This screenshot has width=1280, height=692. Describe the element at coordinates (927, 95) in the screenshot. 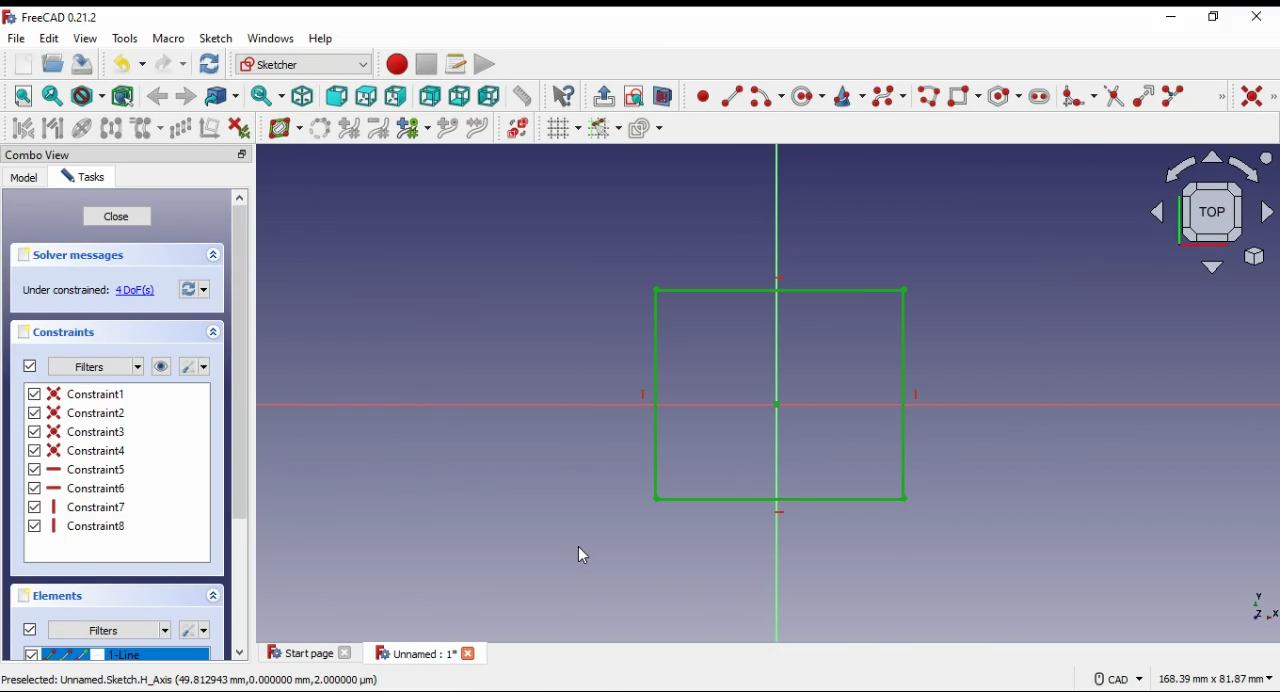

I see `create polyline` at that location.